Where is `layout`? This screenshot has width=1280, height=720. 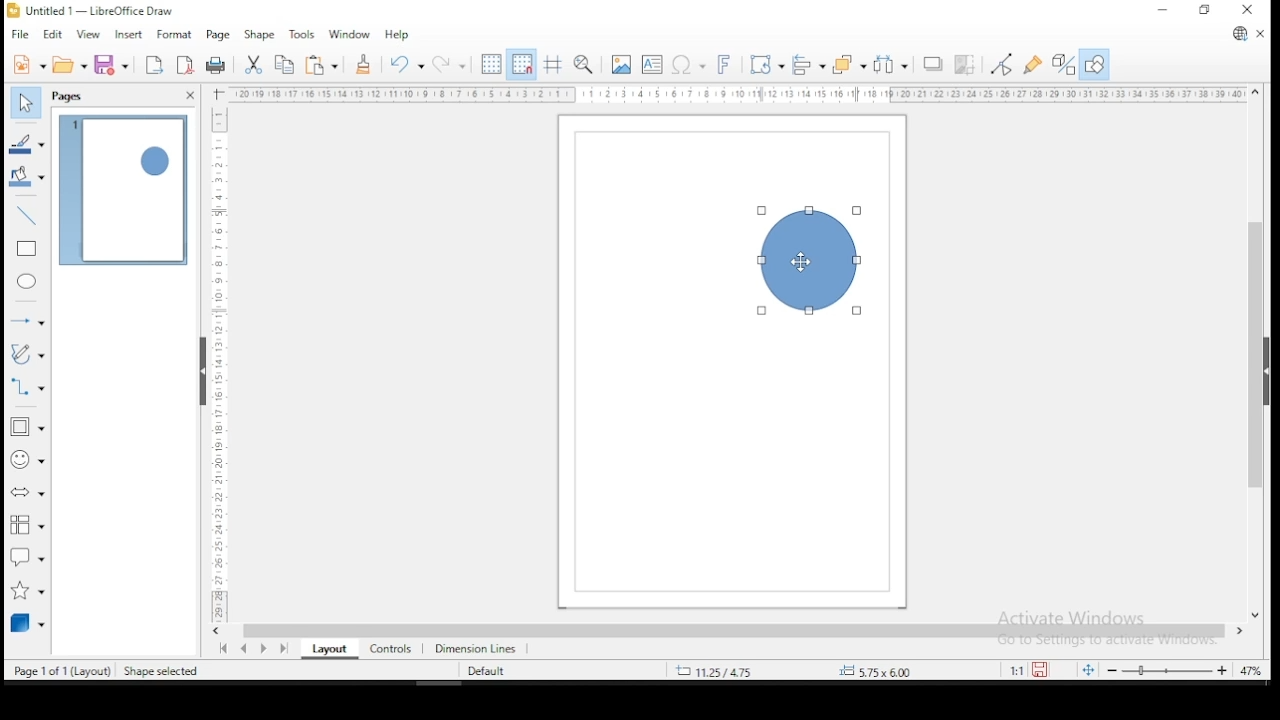
layout is located at coordinates (326, 649).